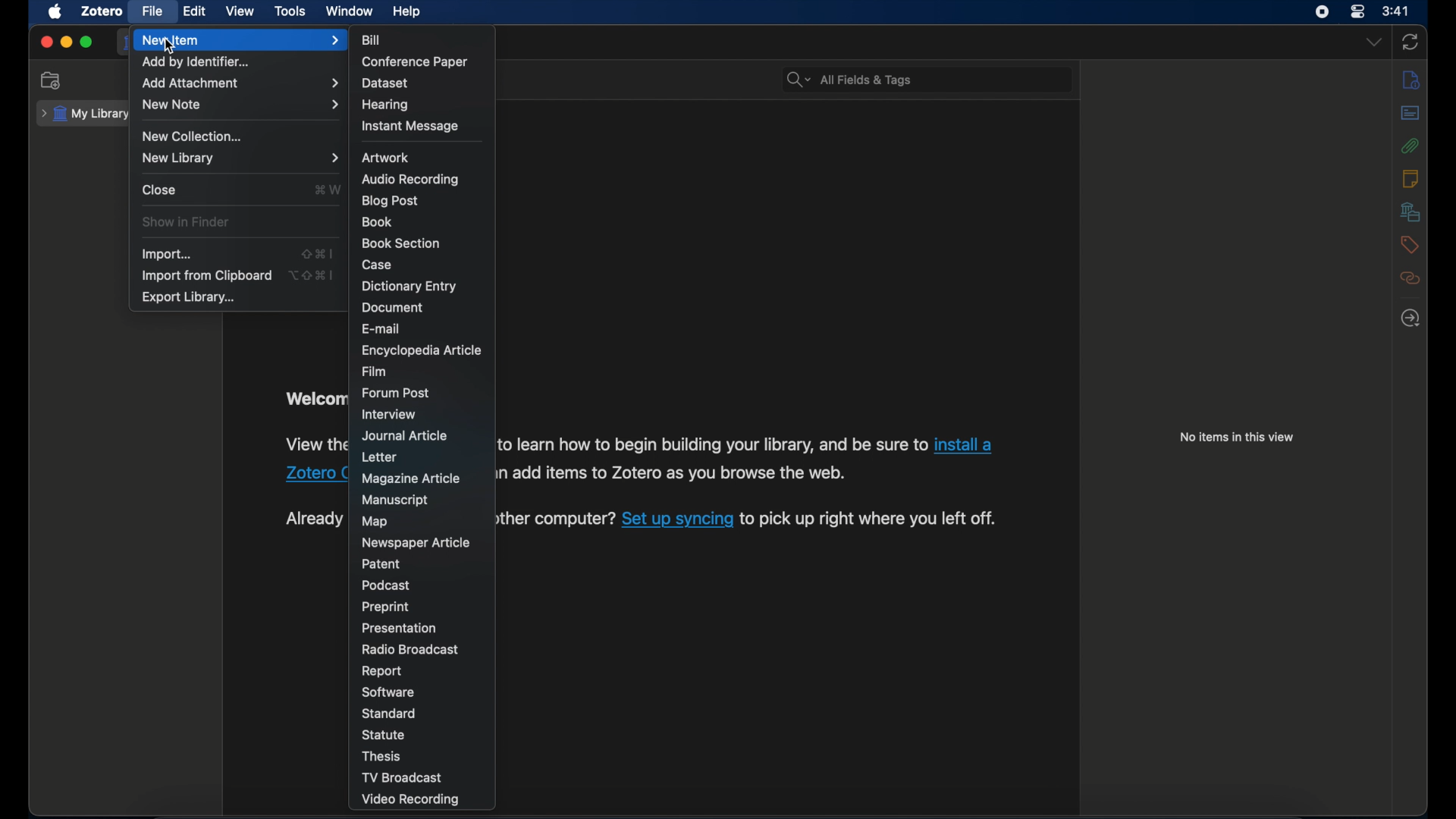 This screenshot has height=819, width=1456. I want to click on conference paper, so click(414, 62).